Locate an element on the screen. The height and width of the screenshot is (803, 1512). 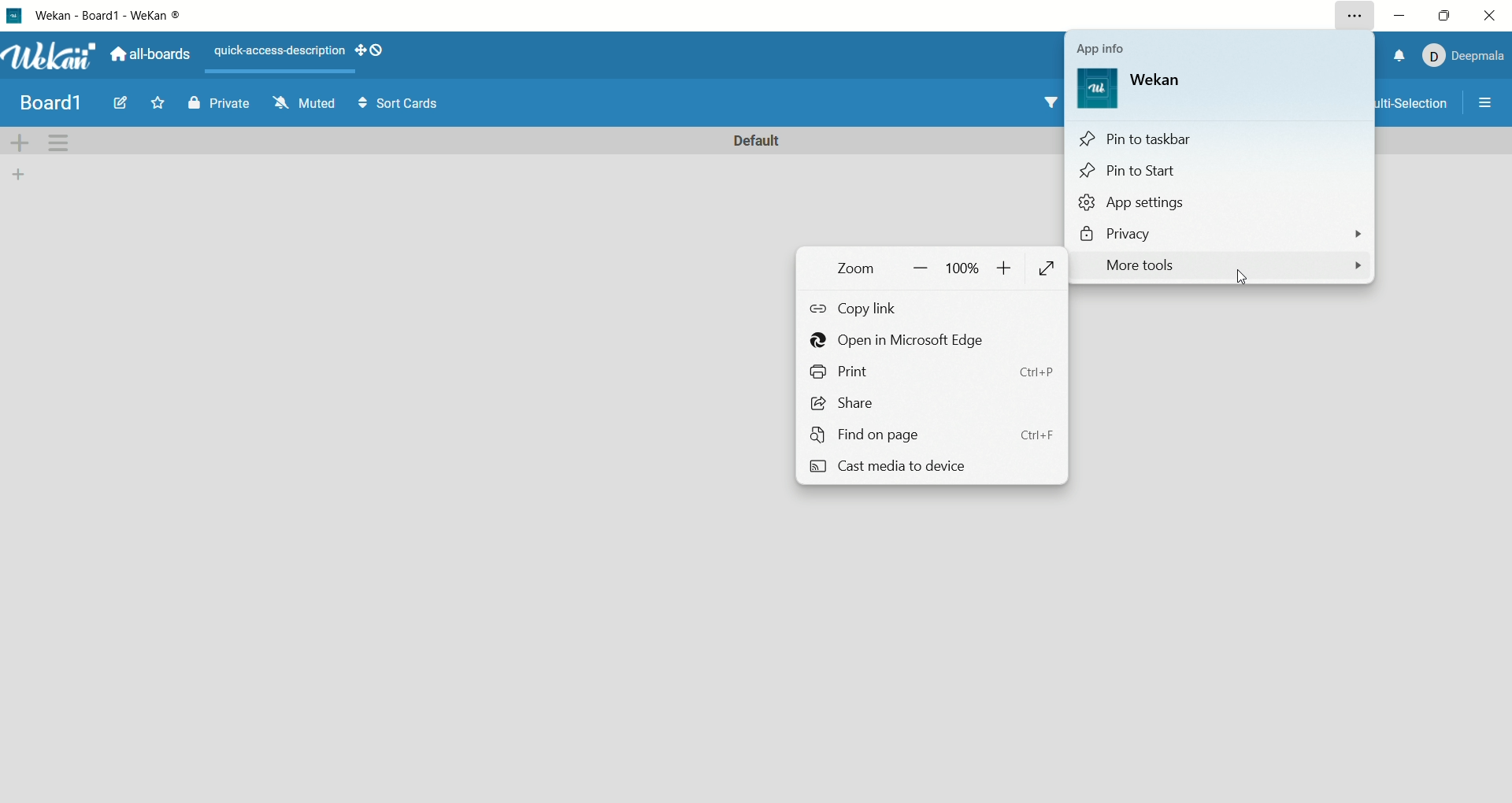
private is located at coordinates (218, 105).